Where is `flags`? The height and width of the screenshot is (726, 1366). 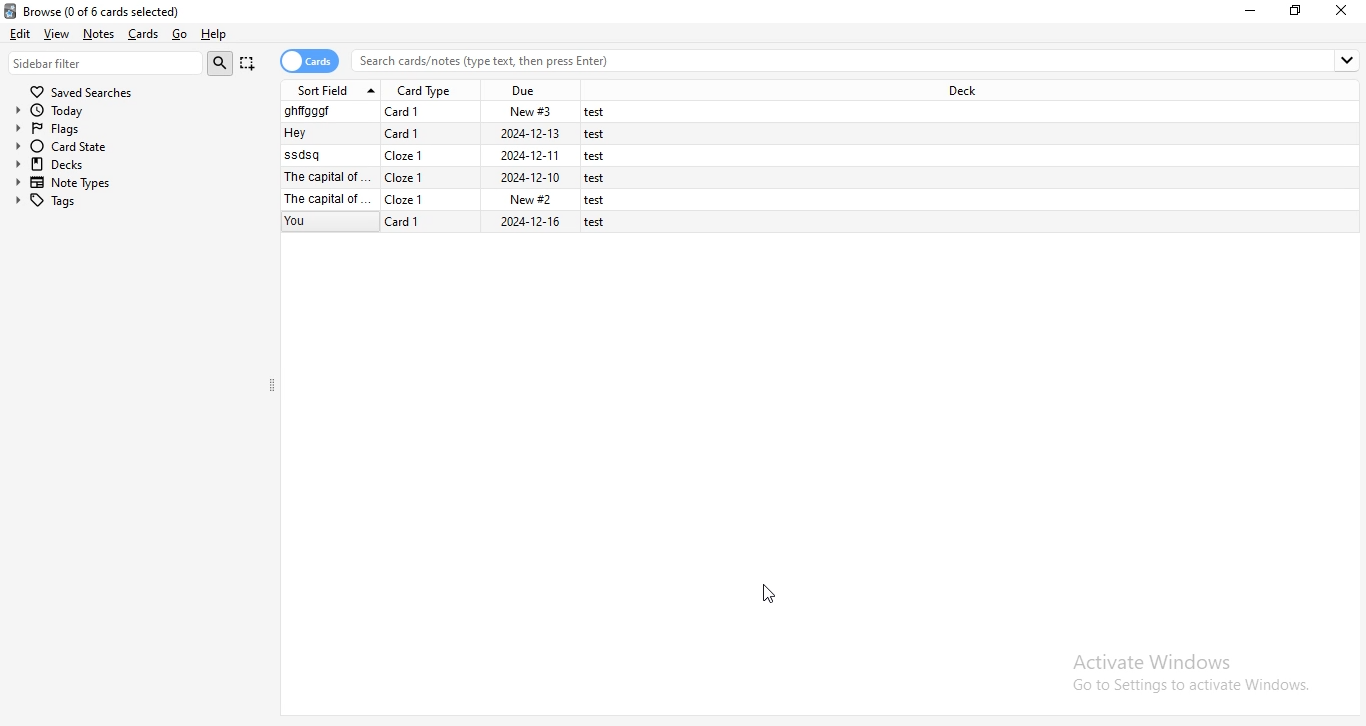
flags is located at coordinates (131, 129).